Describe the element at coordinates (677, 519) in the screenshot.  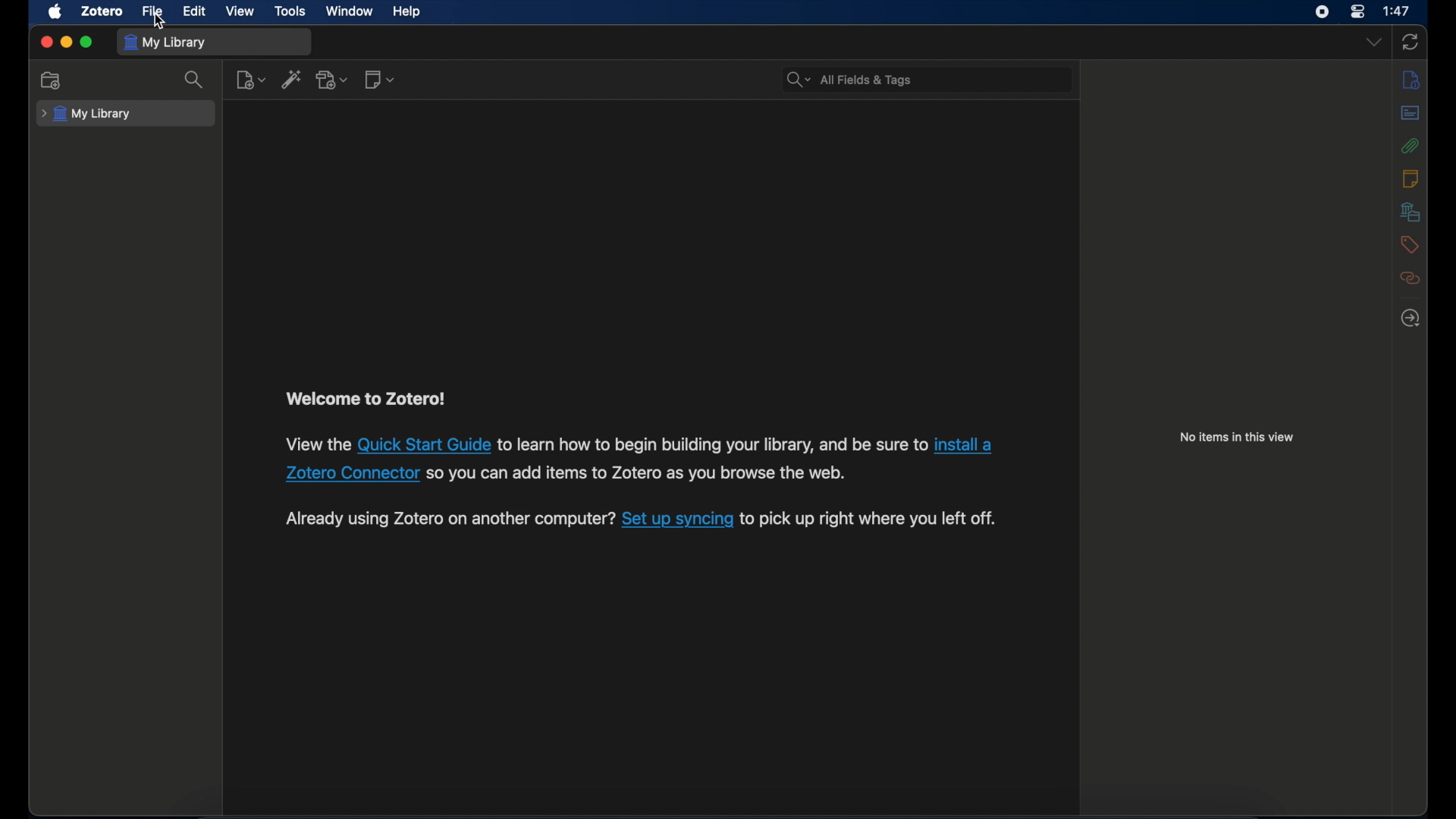
I see `Set up syncing` at that location.